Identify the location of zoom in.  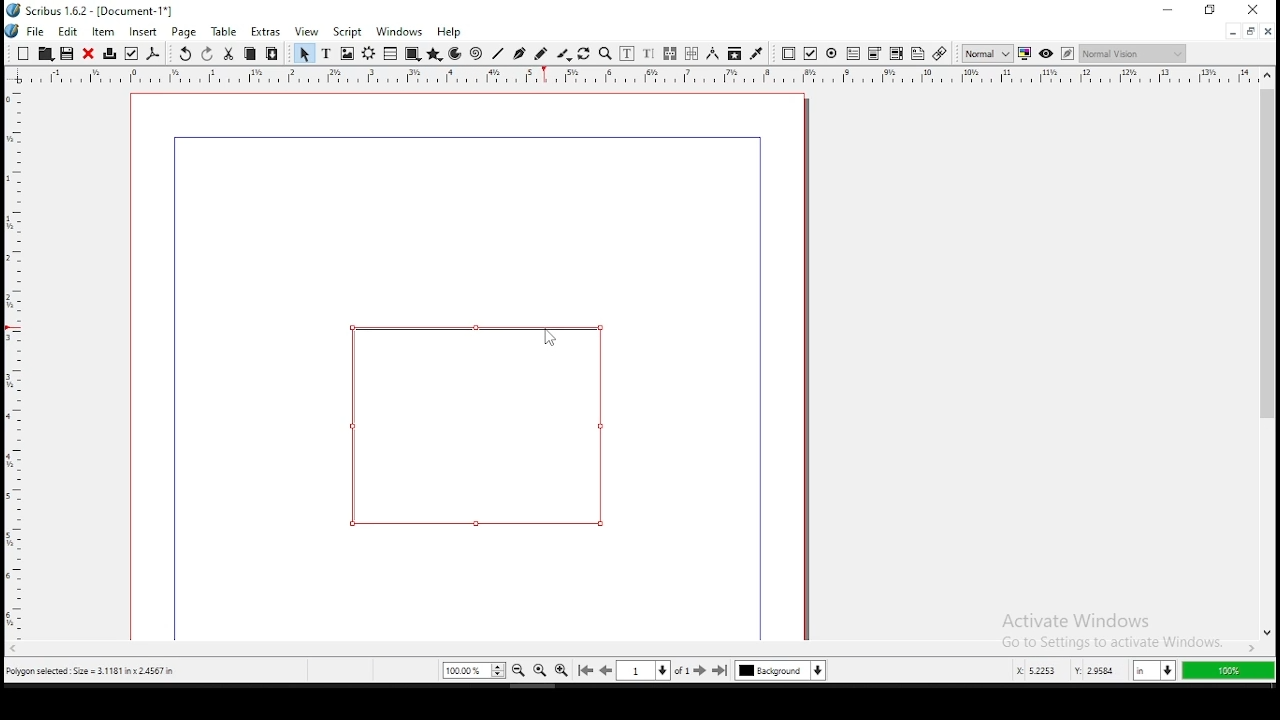
(562, 671).